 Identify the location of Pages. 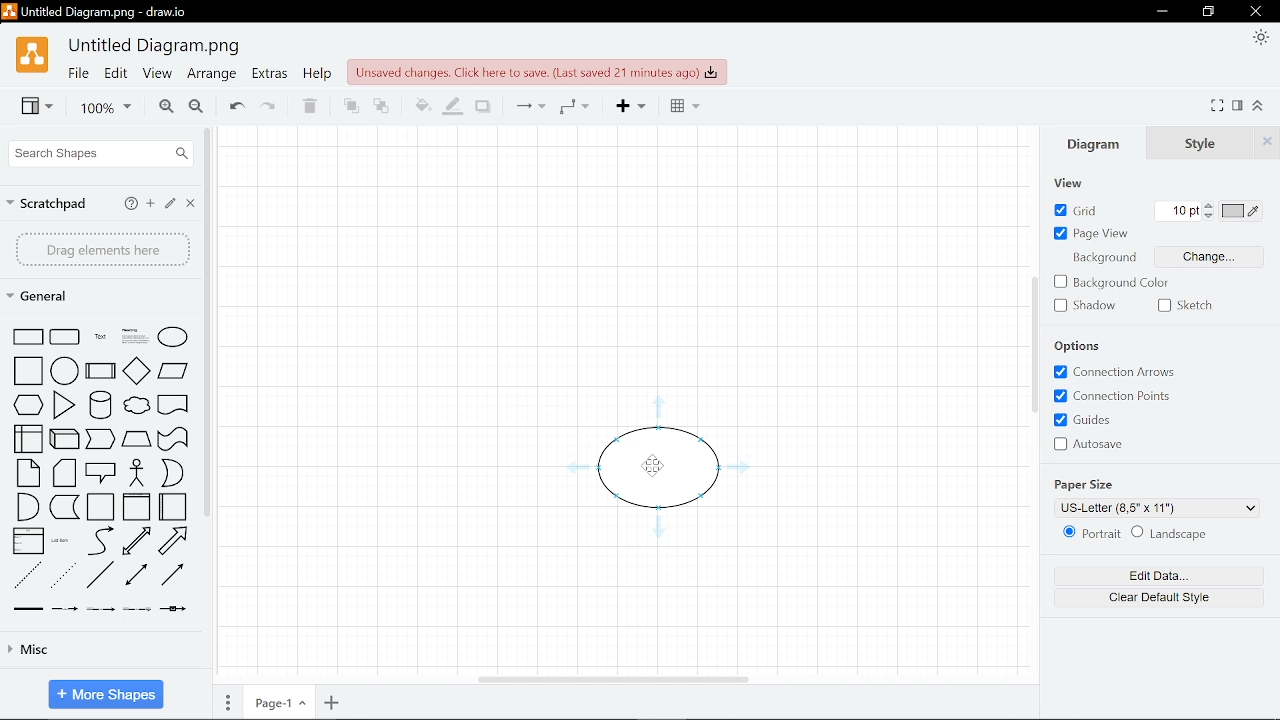
(228, 700).